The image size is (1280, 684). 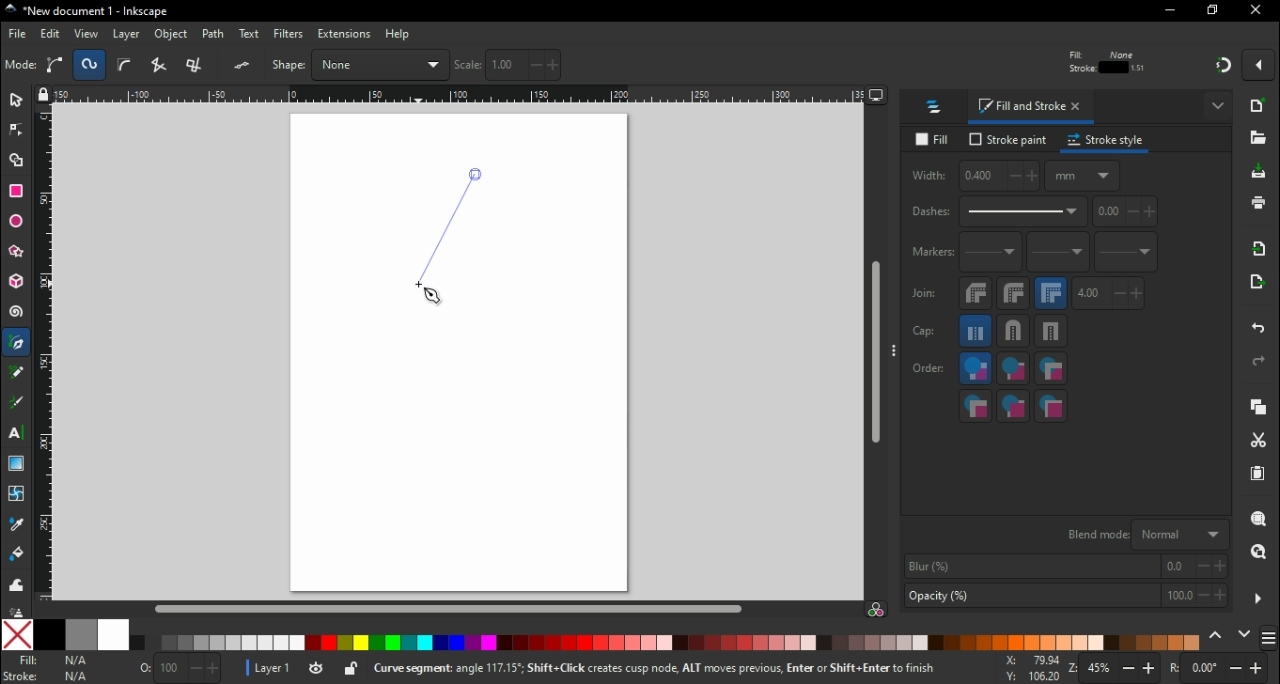 I want to click on minimize, so click(x=1169, y=11).